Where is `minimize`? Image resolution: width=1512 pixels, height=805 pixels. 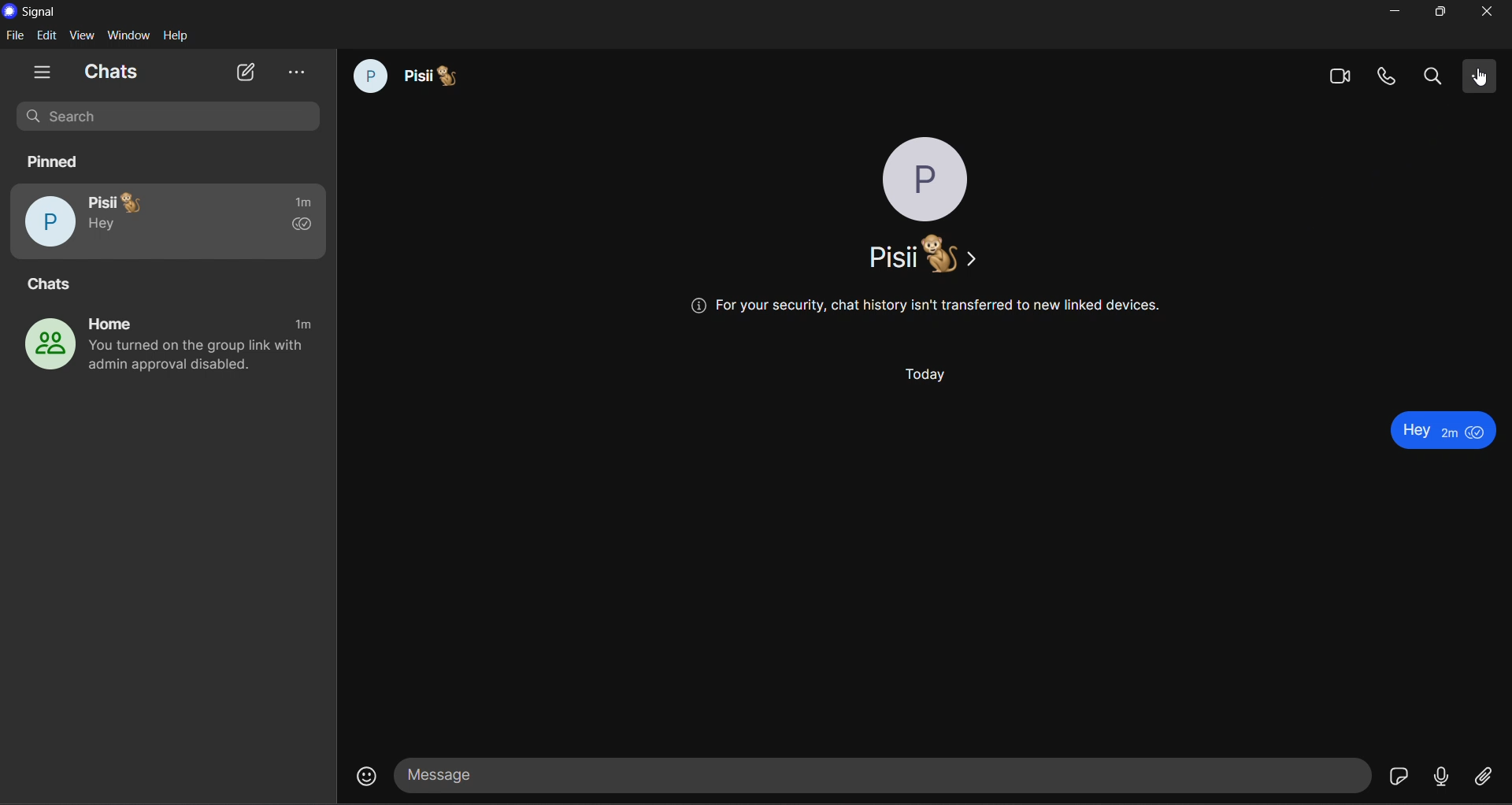 minimize is located at coordinates (1392, 12).